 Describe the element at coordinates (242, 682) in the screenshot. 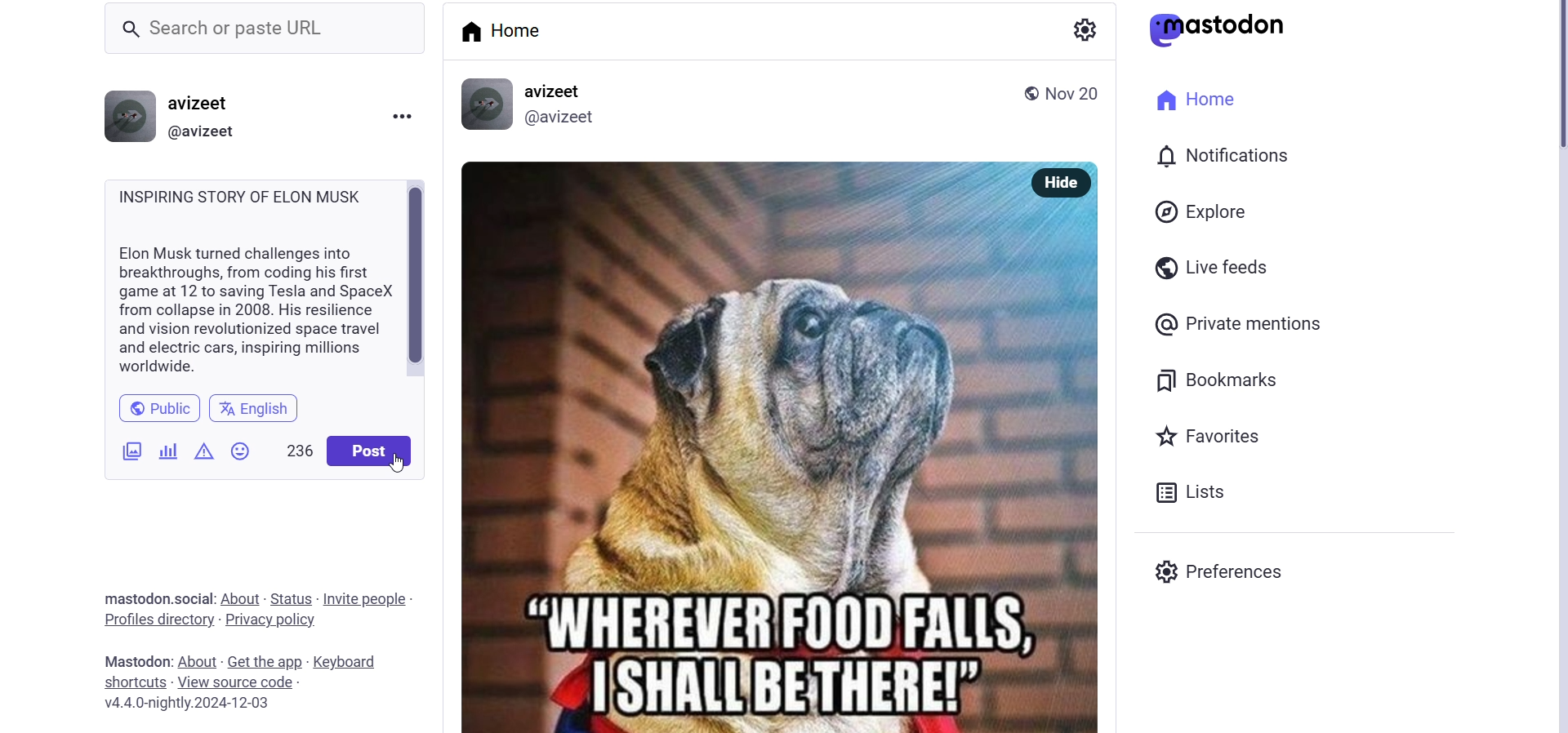

I see `view source code` at that location.